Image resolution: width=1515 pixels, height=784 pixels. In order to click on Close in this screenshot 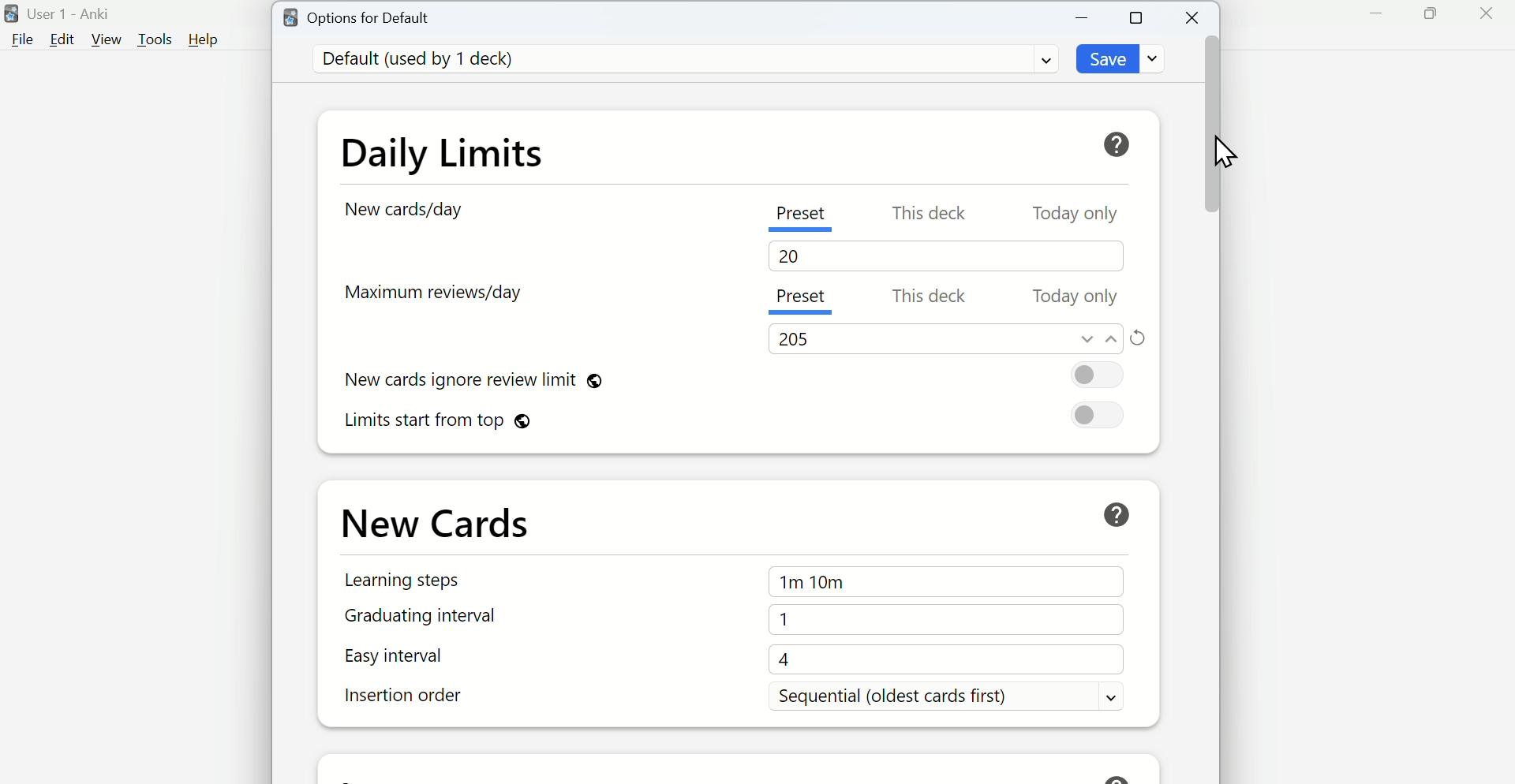, I will do `click(1194, 18)`.